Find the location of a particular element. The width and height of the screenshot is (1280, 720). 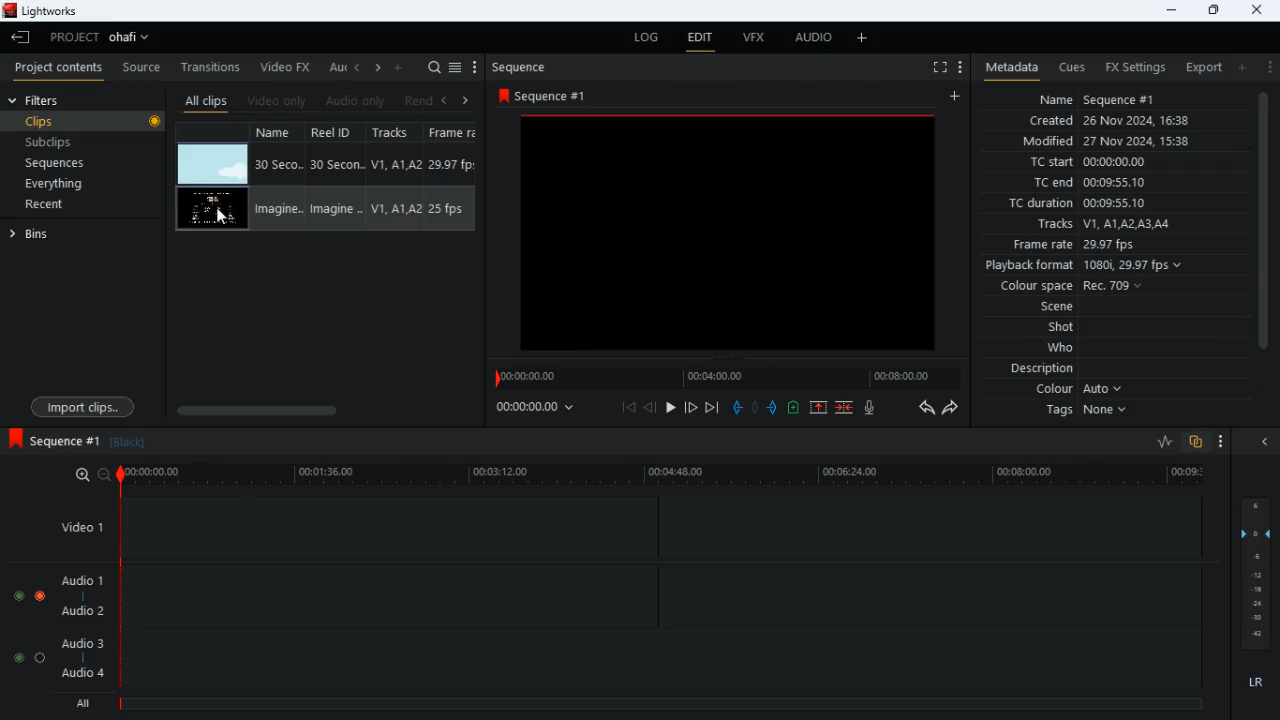

created is located at coordinates (1106, 121).